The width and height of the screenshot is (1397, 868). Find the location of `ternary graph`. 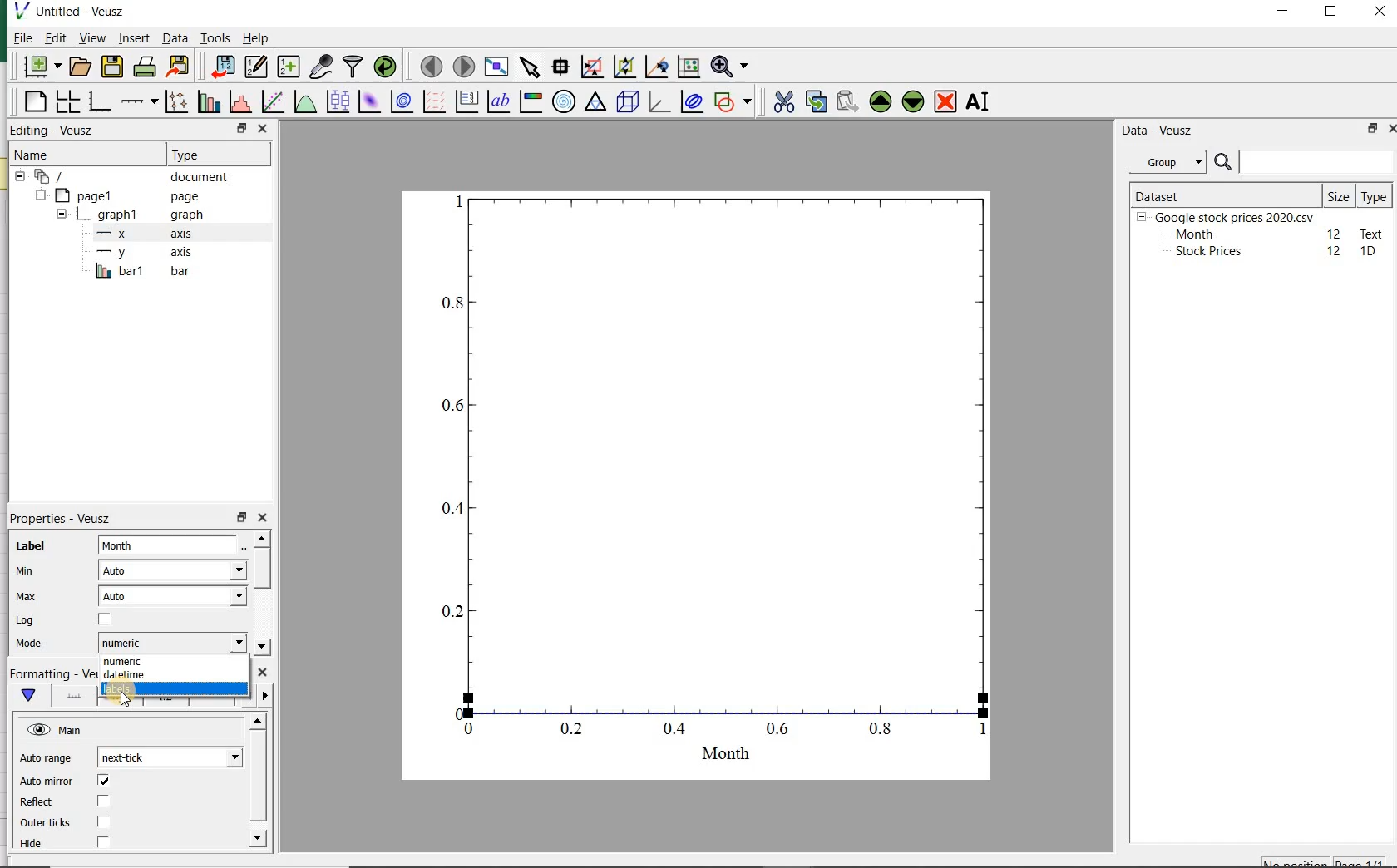

ternary graph is located at coordinates (595, 103).